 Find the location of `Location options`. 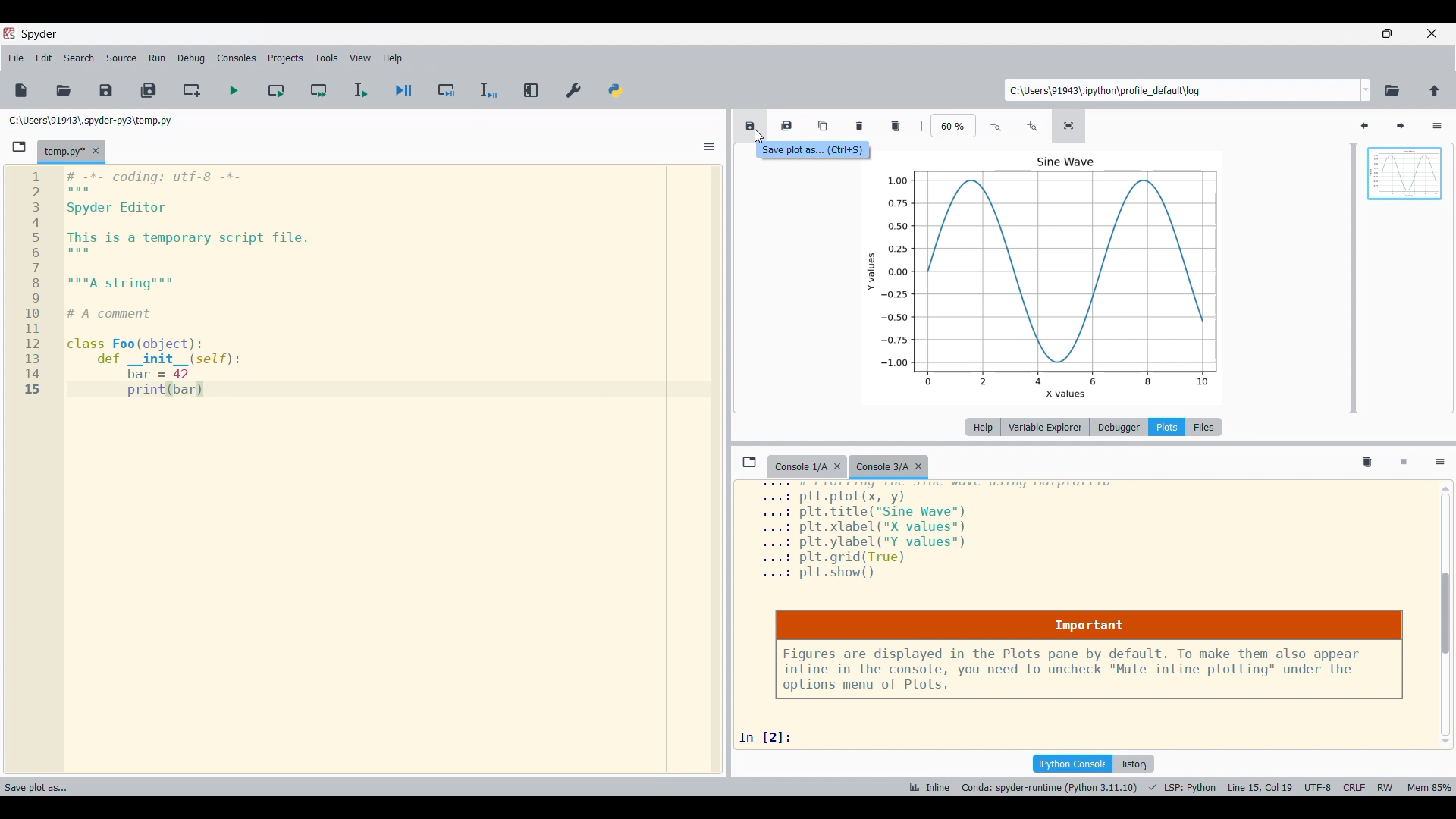

Location options is located at coordinates (1367, 89).